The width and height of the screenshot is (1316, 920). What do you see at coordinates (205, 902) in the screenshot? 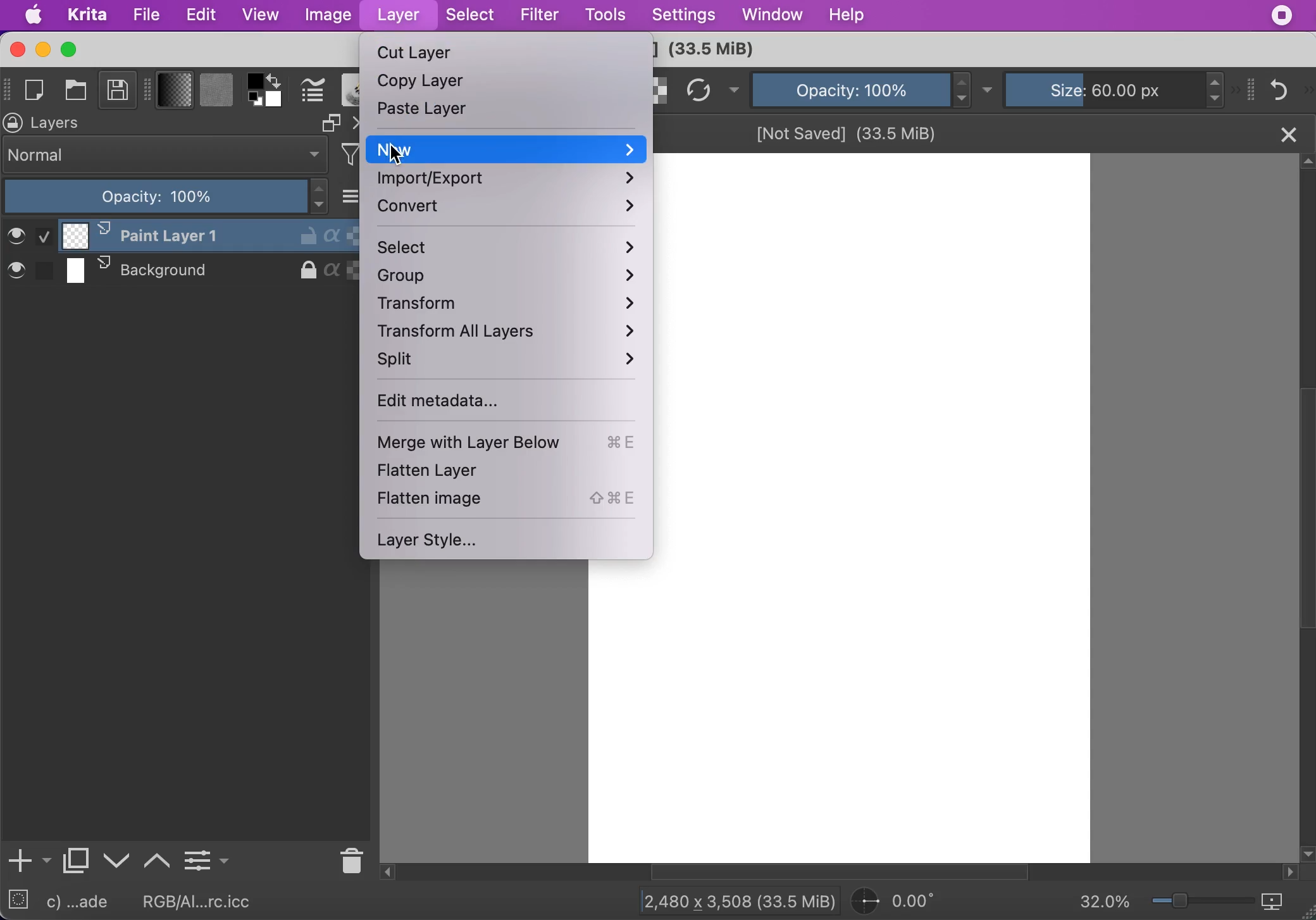
I see `rgb/AI...rc.icc` at bounding box center [205, 902].